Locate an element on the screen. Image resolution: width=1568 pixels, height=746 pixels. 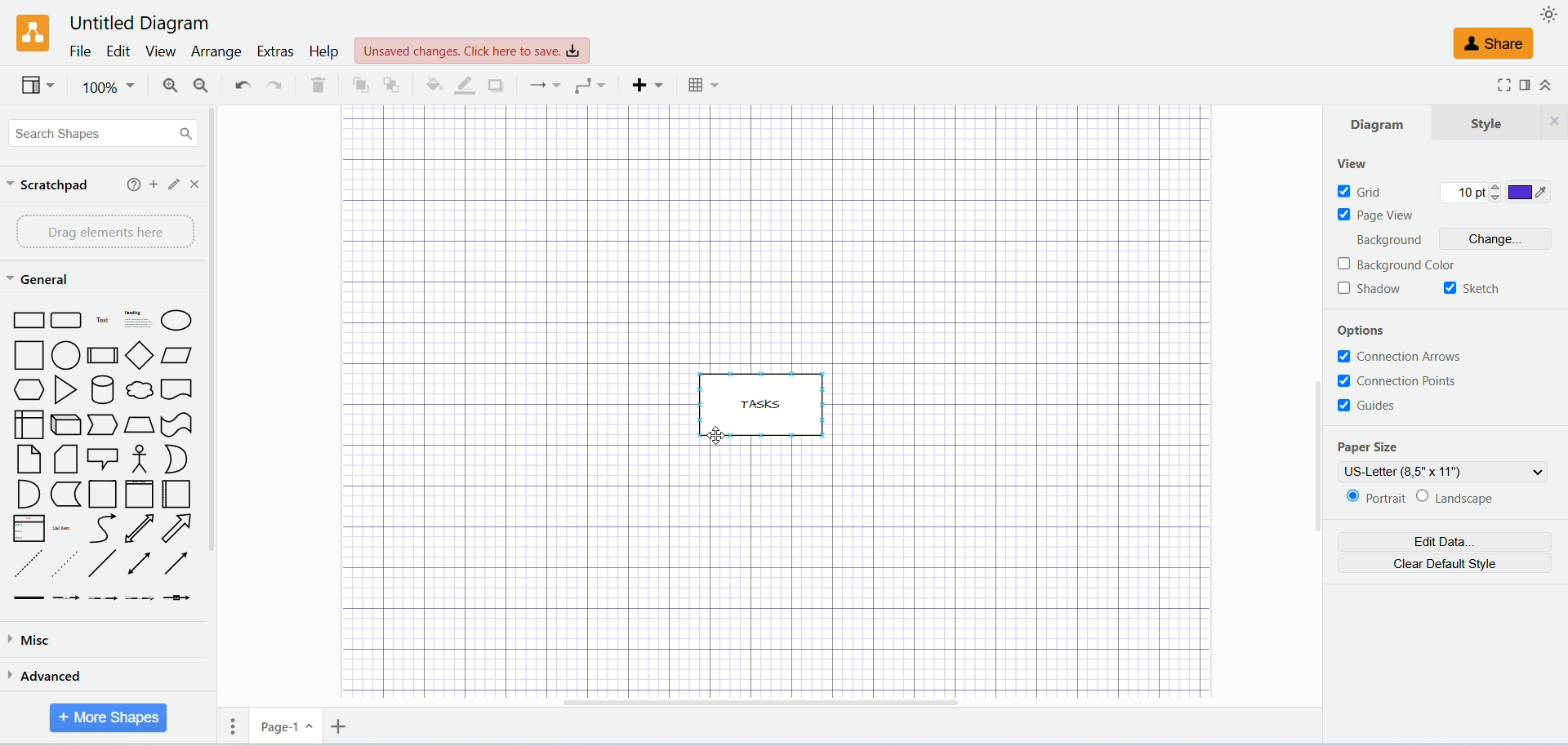
paper size is located at coordinates (1373, 446).